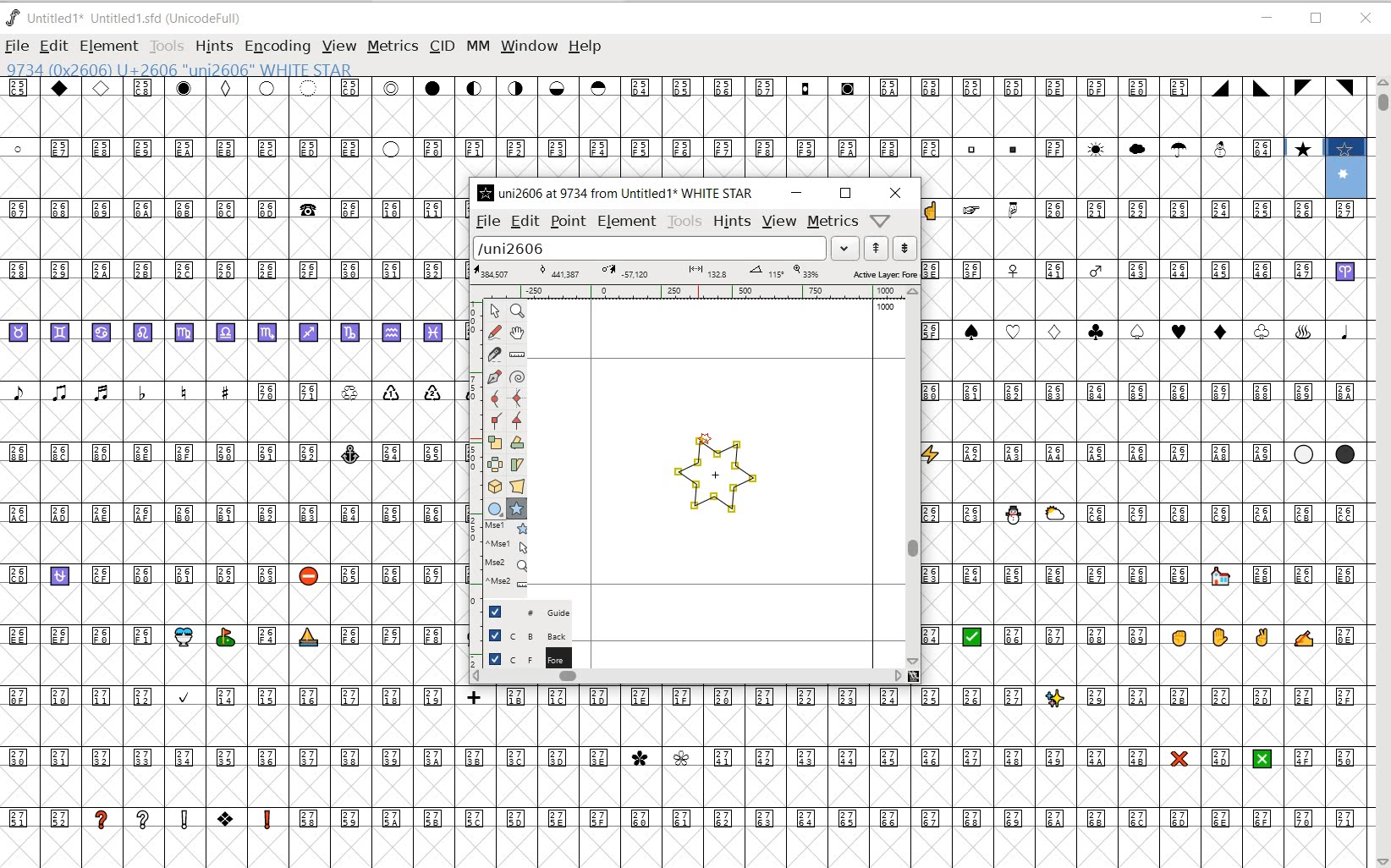 This screenshot has width=1391, height=868. Describe the element at coordinates (494, 444) in the screenshot. I see `SELECT THE SELECTION` at that location.